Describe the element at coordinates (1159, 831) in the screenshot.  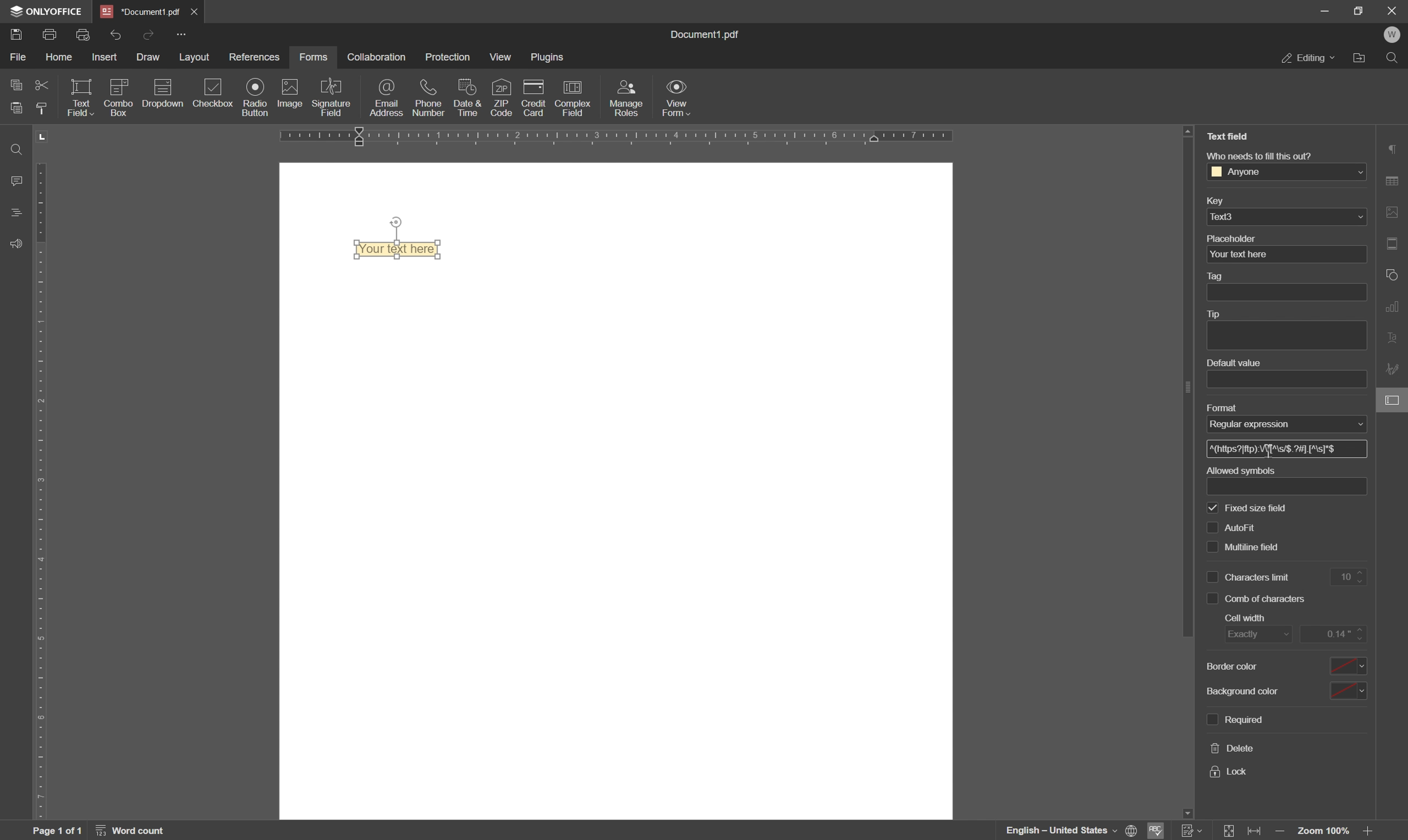
I see `spell checking` at that location.